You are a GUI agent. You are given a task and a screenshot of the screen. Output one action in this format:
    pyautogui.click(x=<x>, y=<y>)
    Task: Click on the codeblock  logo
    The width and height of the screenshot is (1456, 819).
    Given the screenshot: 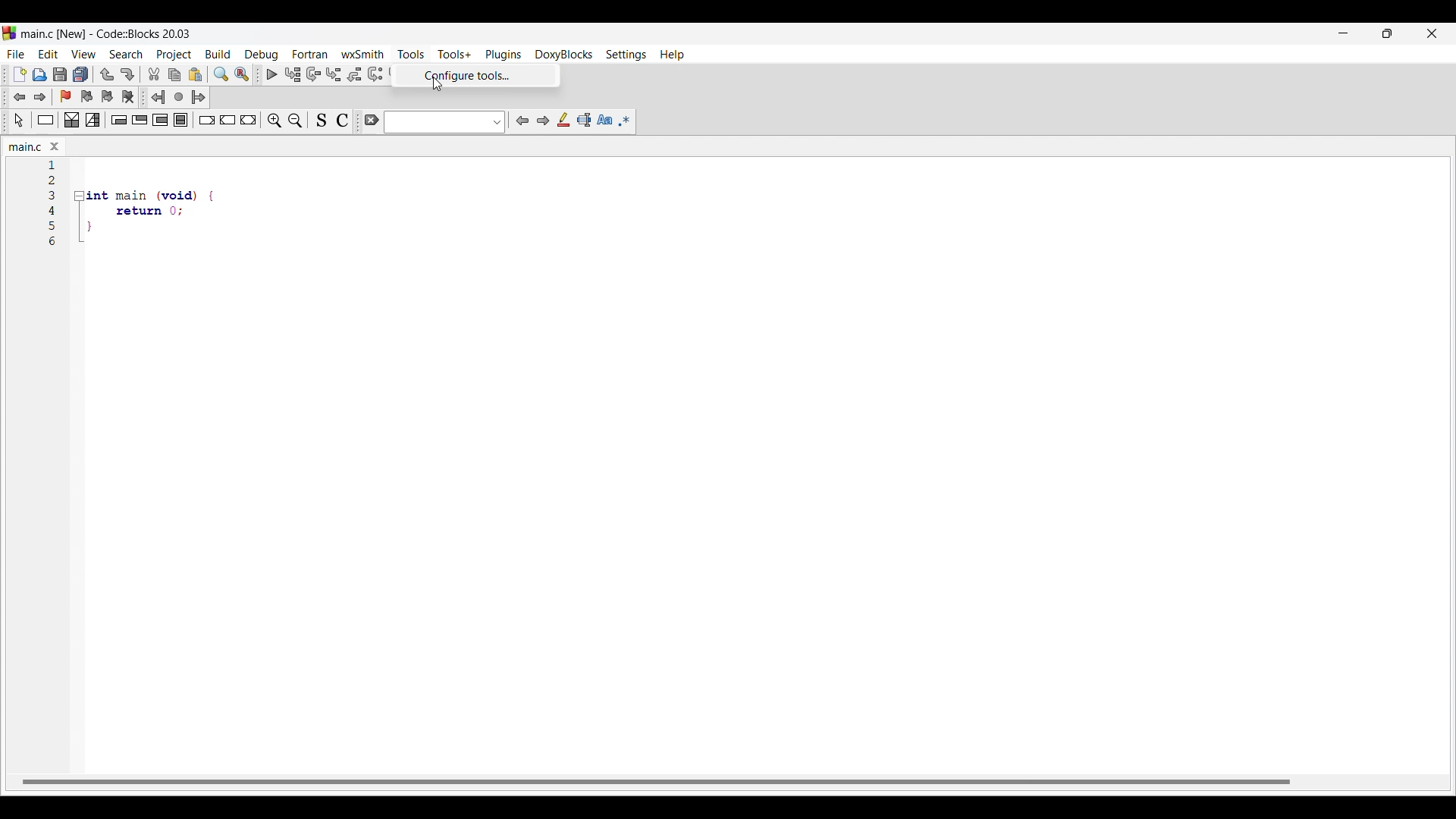 What is the action you would take?
    pyautogui.click(x=9, y=33)
    